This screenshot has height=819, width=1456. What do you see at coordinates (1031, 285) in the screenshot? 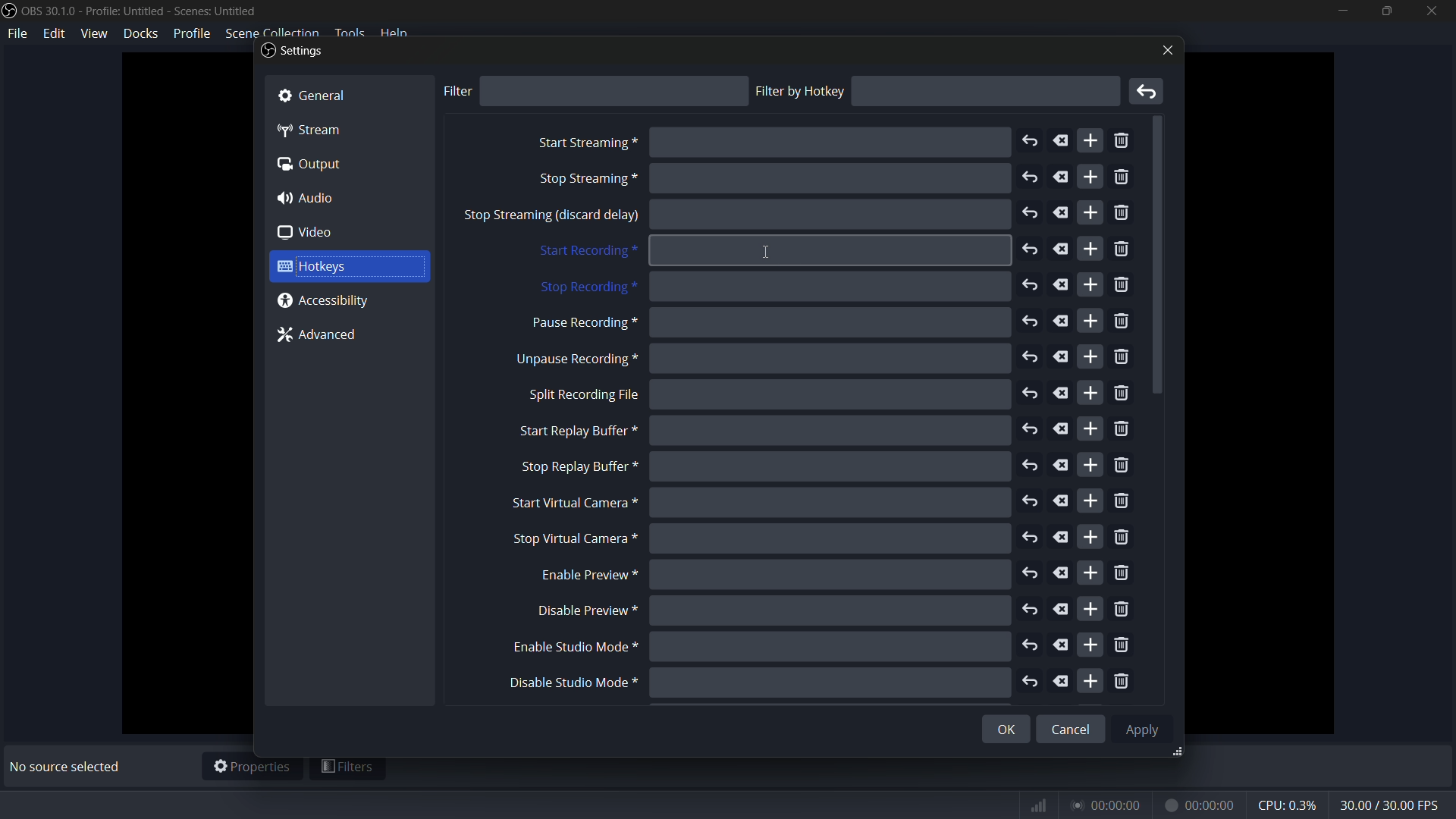
I see `undo` at bounding box center [1031, 285].